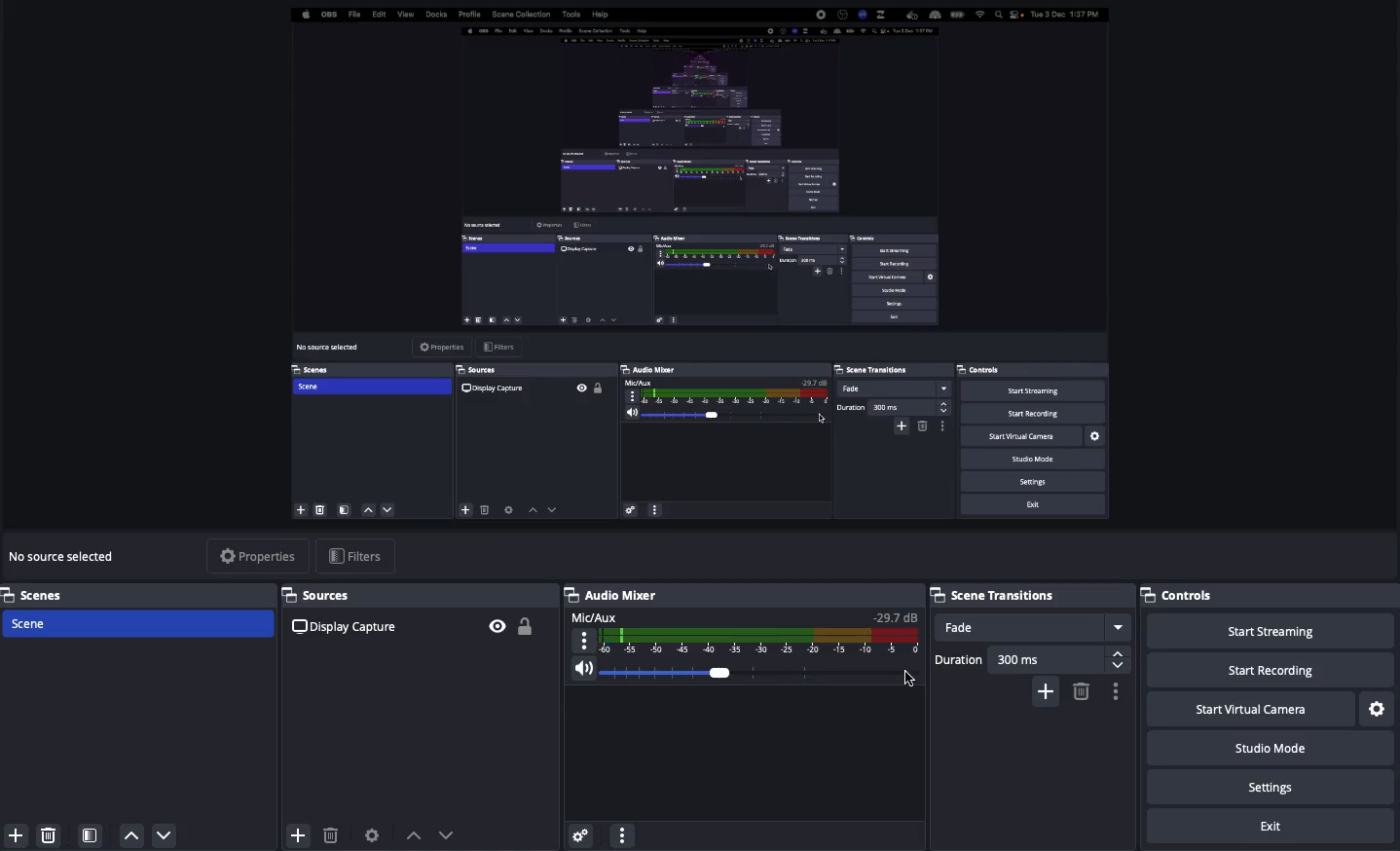  I want to click on Move up, so click(414, 834).